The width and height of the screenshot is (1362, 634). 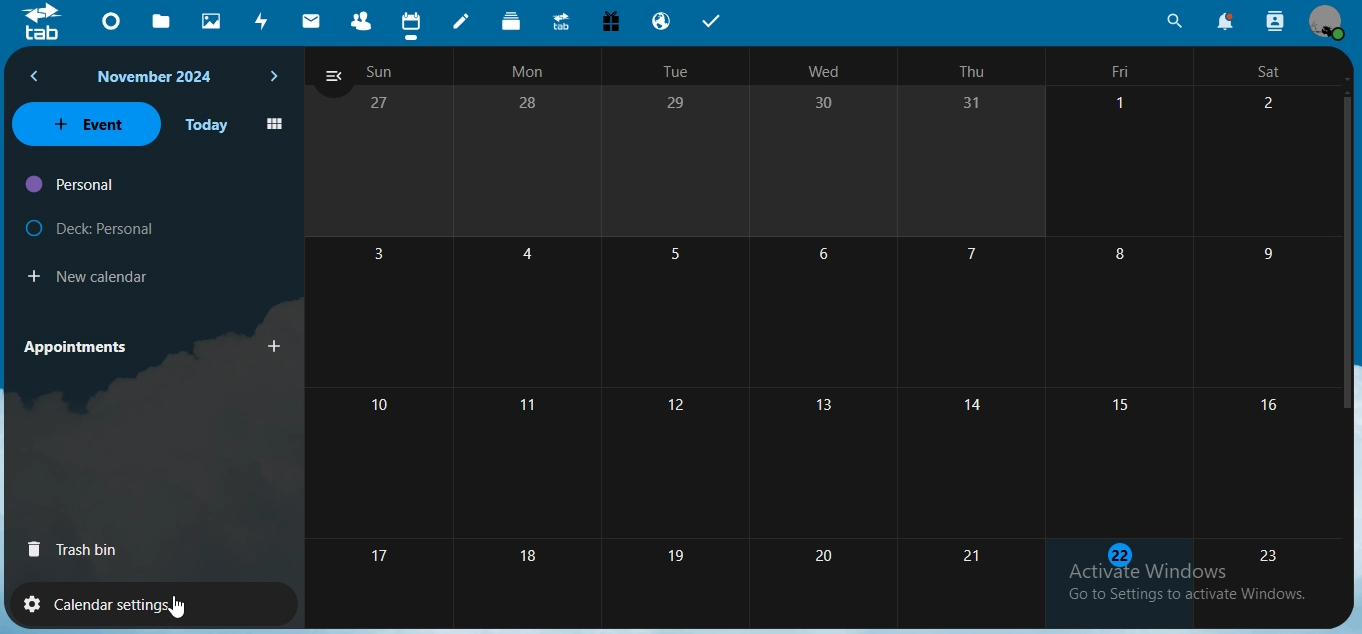 What do you see at coordinates (94, 224) in the screenshot?
I see `deck personal` at bounding box center [94, 224].